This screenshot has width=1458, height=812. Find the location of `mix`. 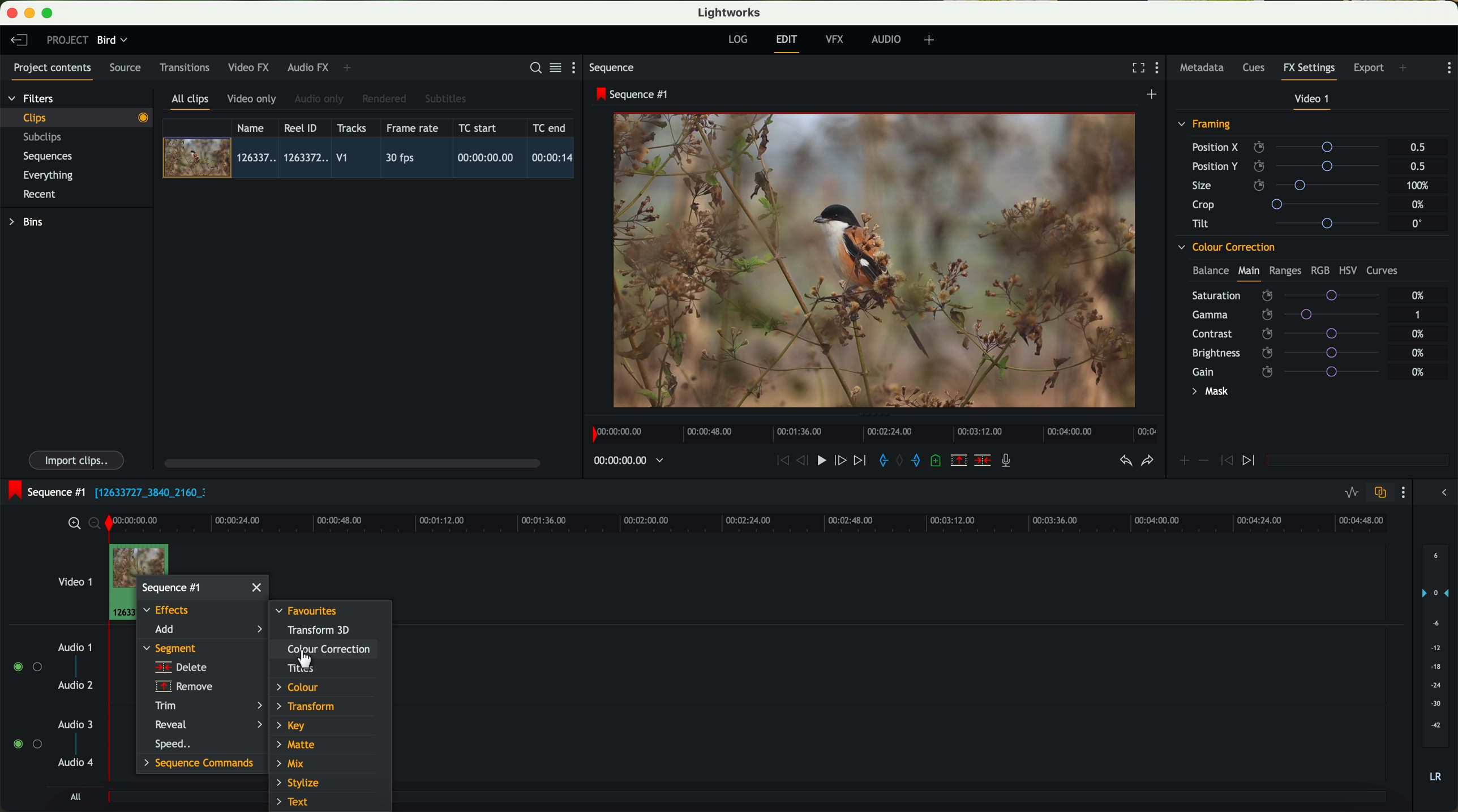

mix is located at coordinates (292, 764).